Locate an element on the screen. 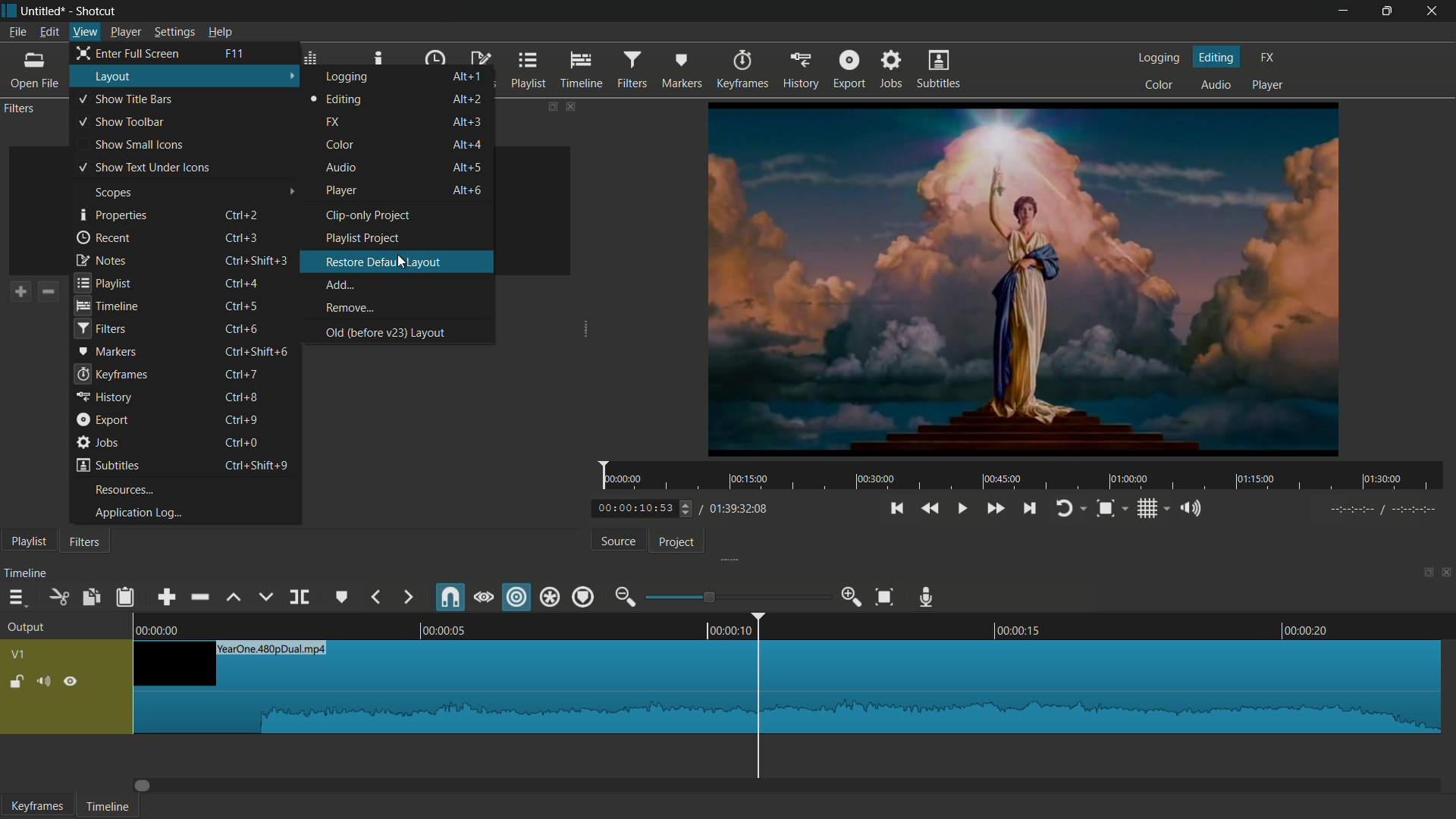 The height and width of the screenshot is (819, 1456). snap is located at coordinates (449, 598).